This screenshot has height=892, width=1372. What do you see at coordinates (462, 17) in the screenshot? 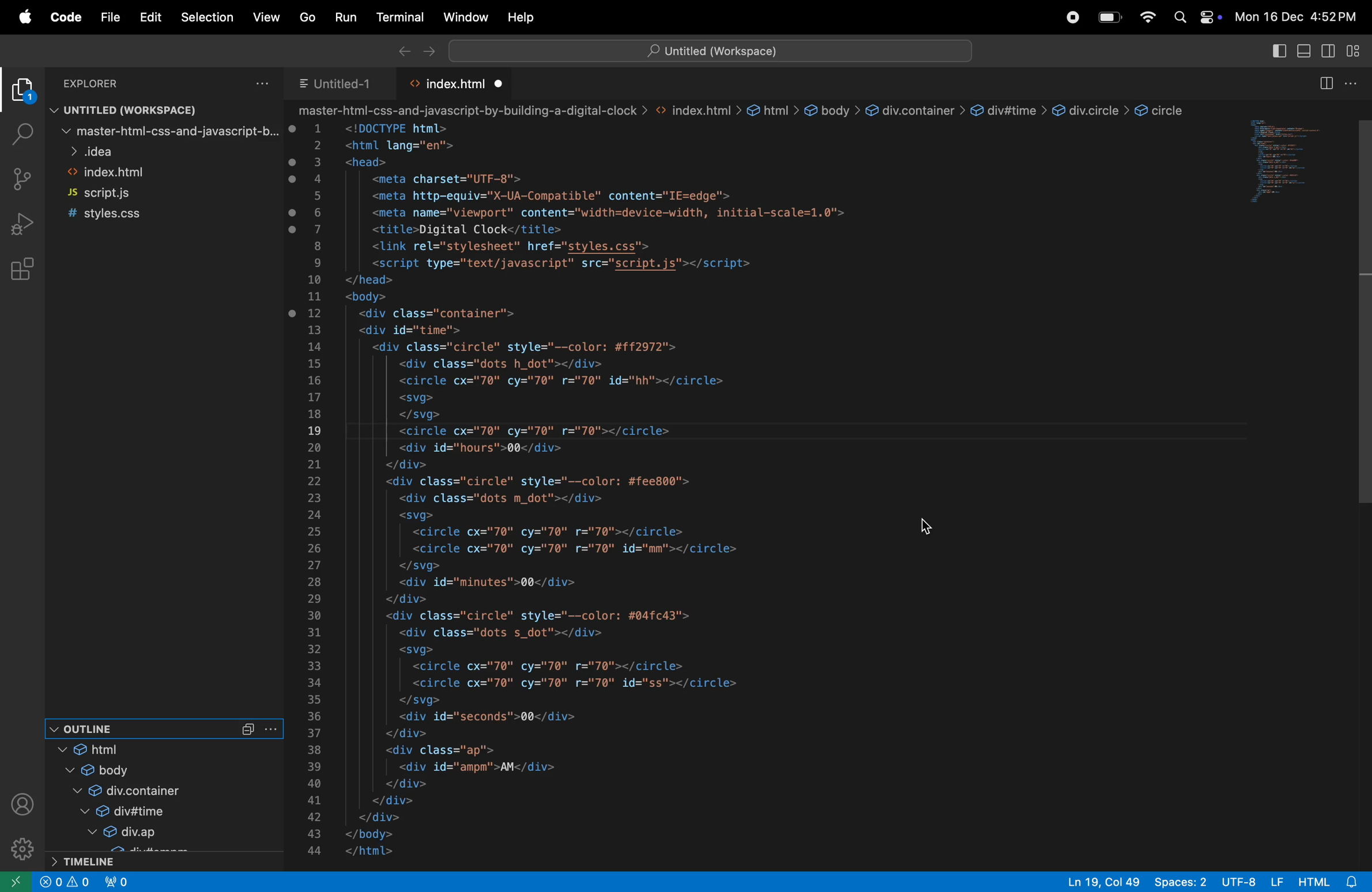
I see `window` at bounding box center [462, 17].